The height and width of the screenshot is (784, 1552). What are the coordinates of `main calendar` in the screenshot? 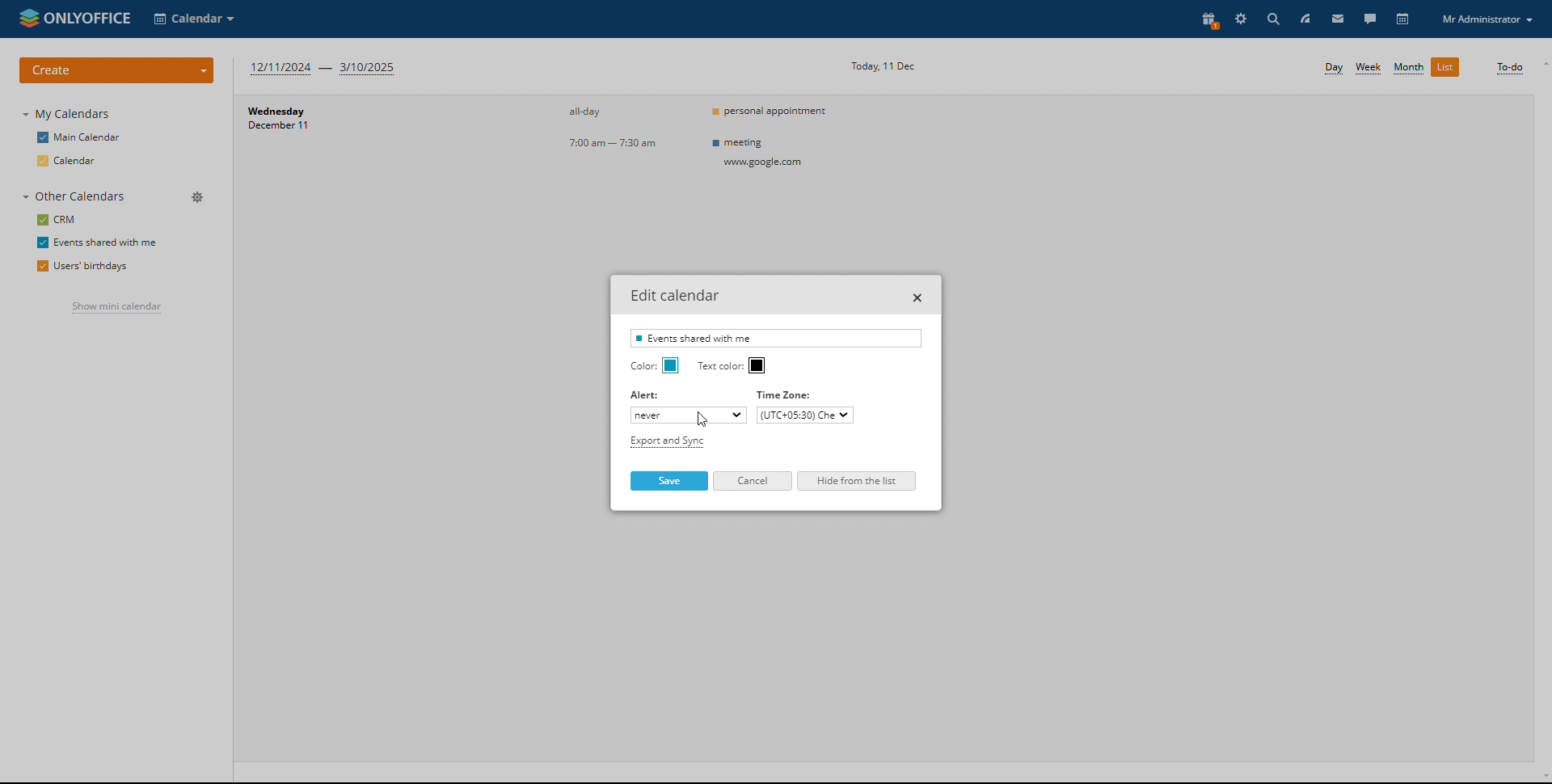 It's located at (78, 138).